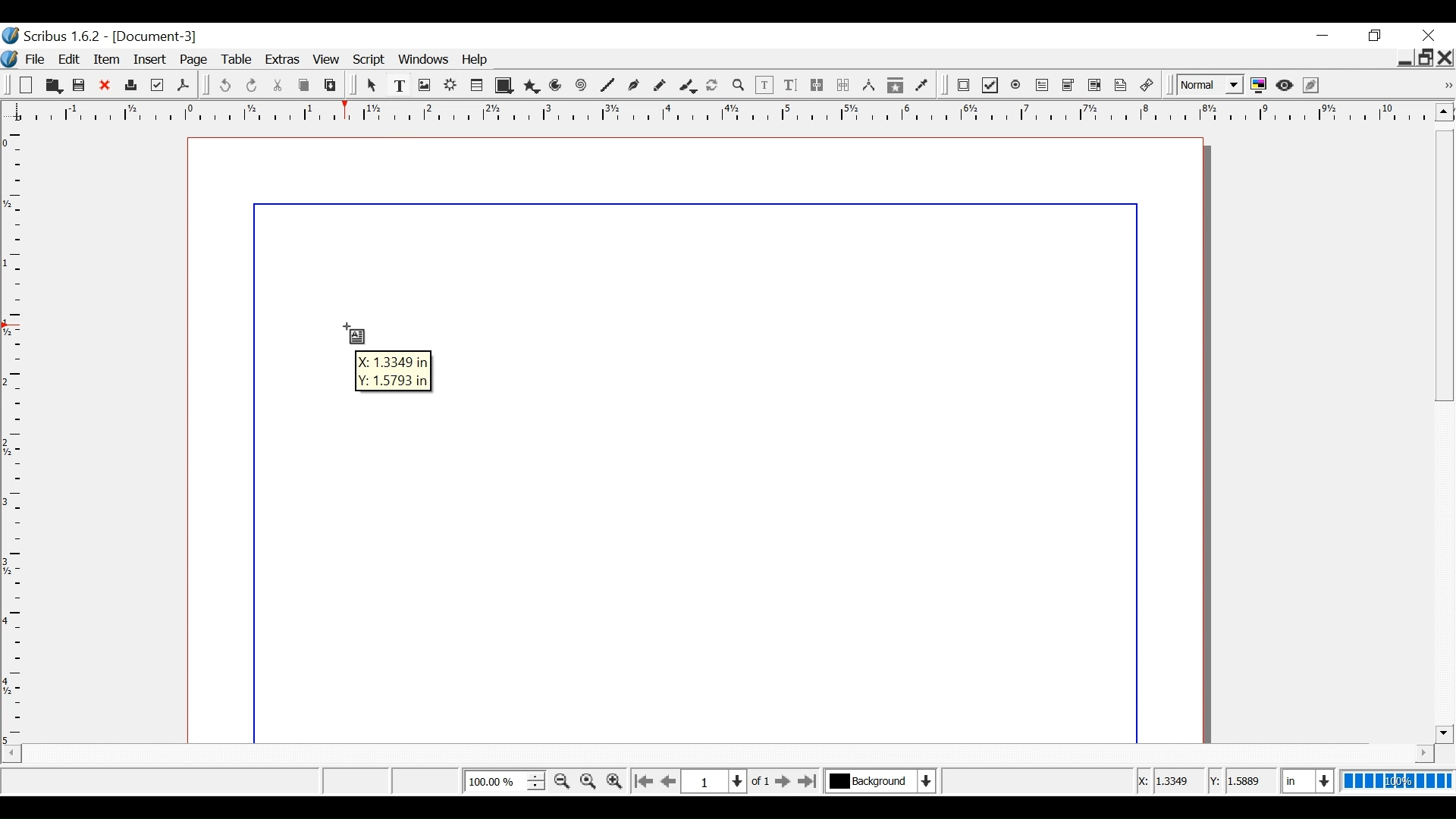 The image size is (1456, 819). I want to click on Restore, so click(1426, 56).